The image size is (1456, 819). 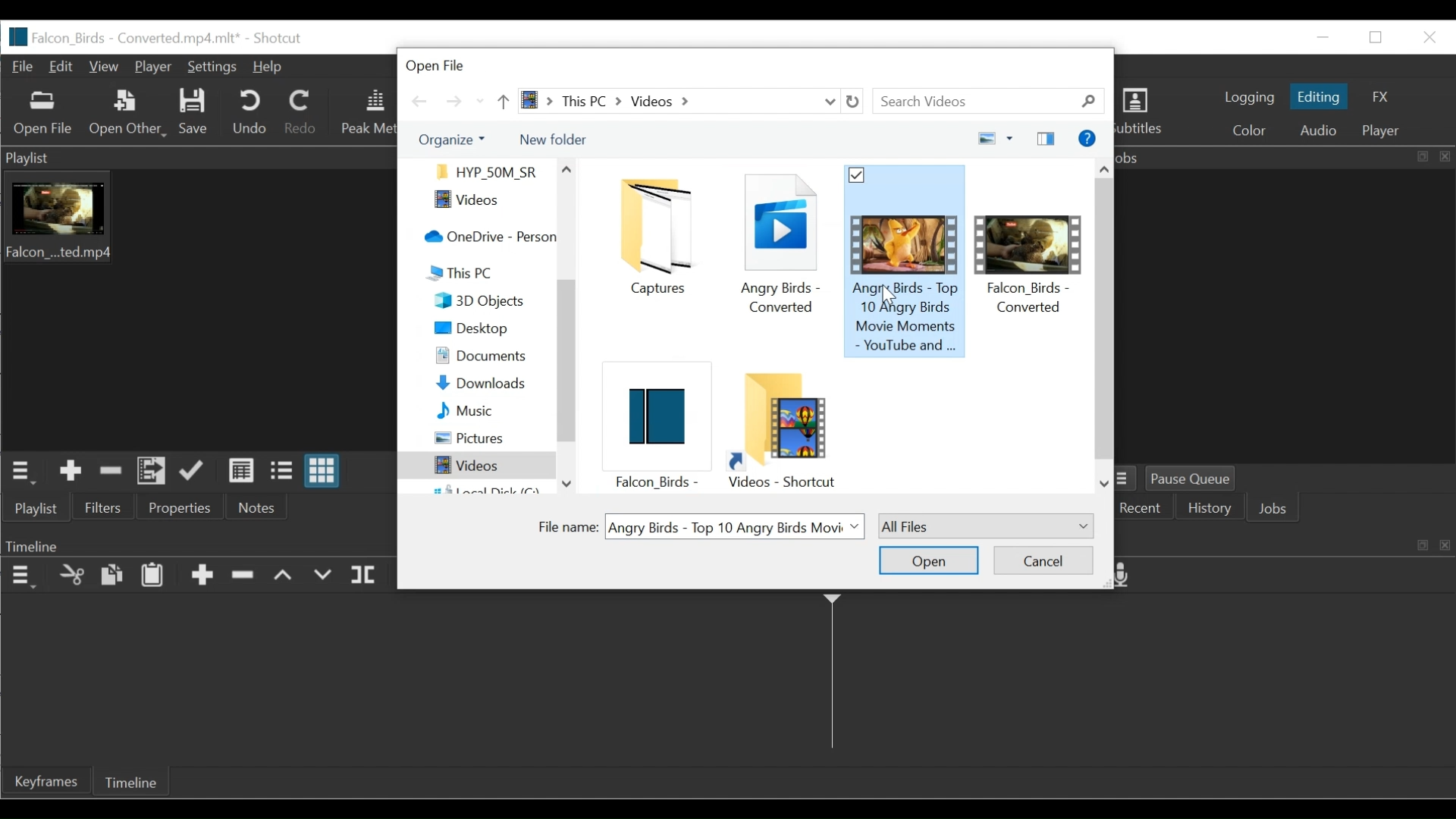 What do you see at coordinates (737, 526) in the screenshot?
I see `Angry Birds - Top 10 Angry Birds Movi ~` at bounding box center [737, 526].